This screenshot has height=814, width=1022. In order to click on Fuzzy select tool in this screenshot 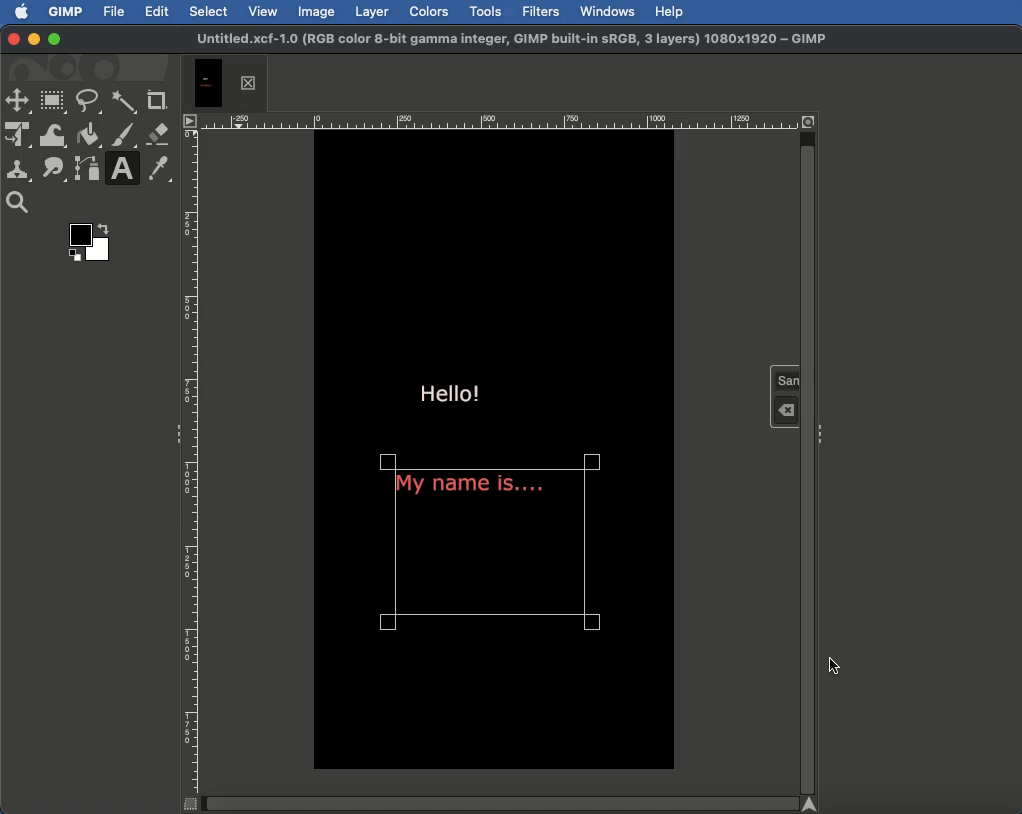, I will do `click(122, 103)`.